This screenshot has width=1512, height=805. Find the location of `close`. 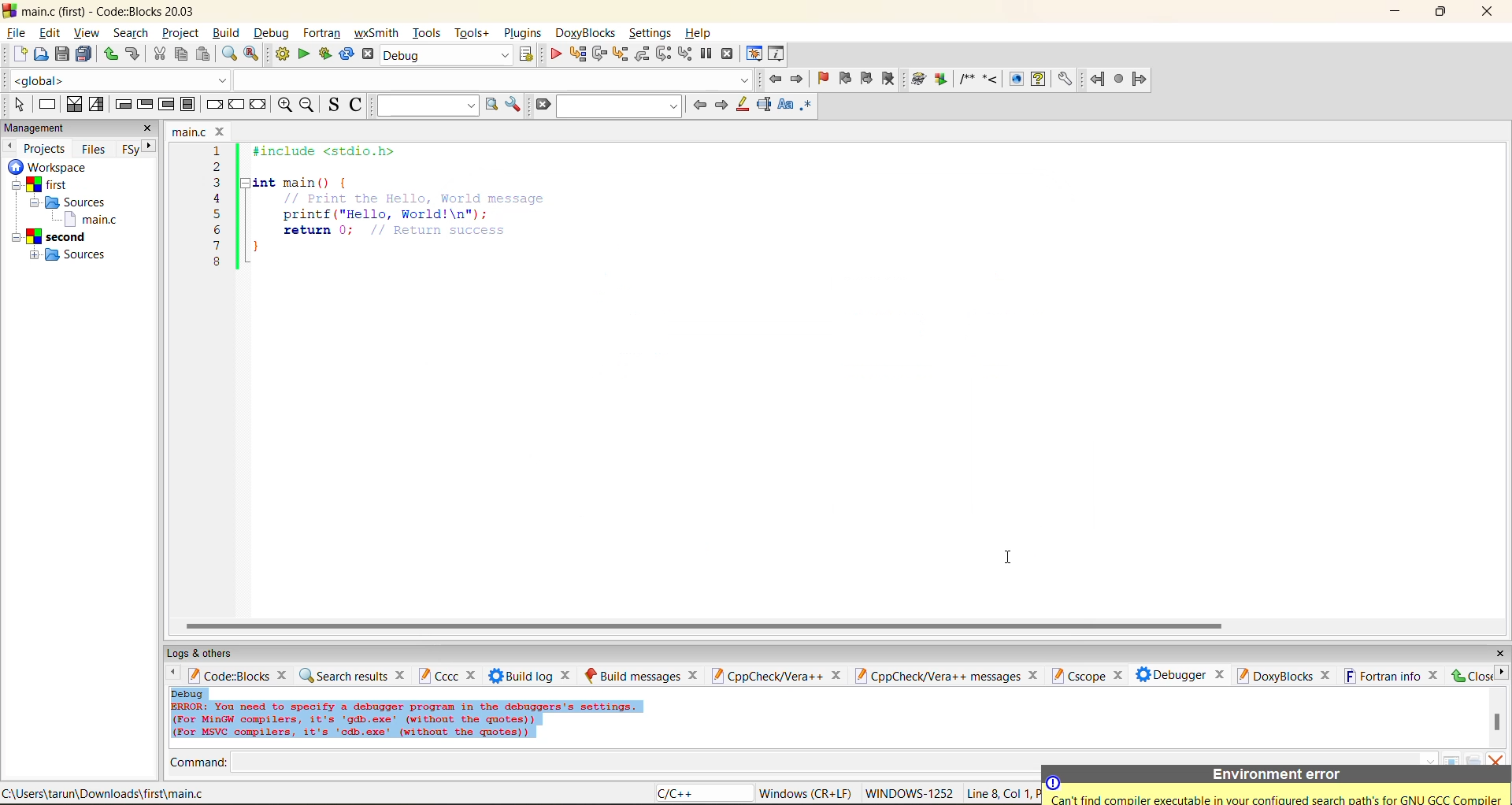

close is located at coordinates (568, 675).